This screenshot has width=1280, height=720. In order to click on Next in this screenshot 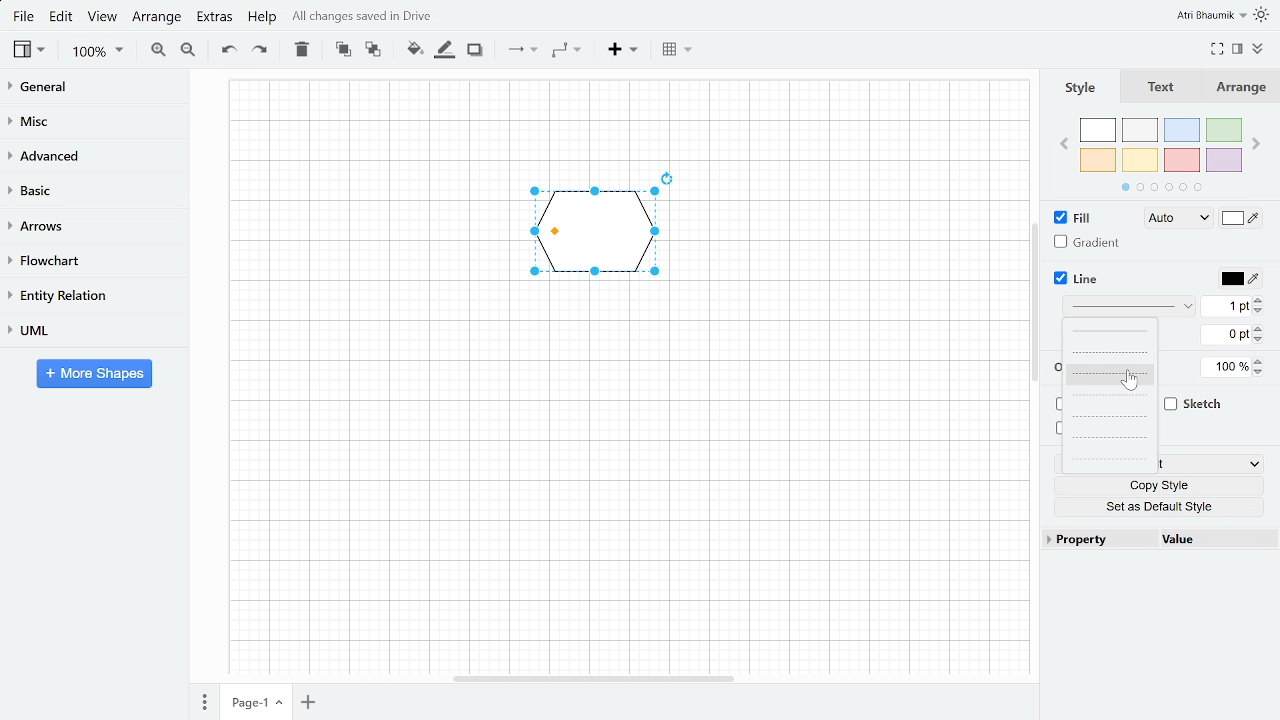, I will do `click(1256, 142)`.